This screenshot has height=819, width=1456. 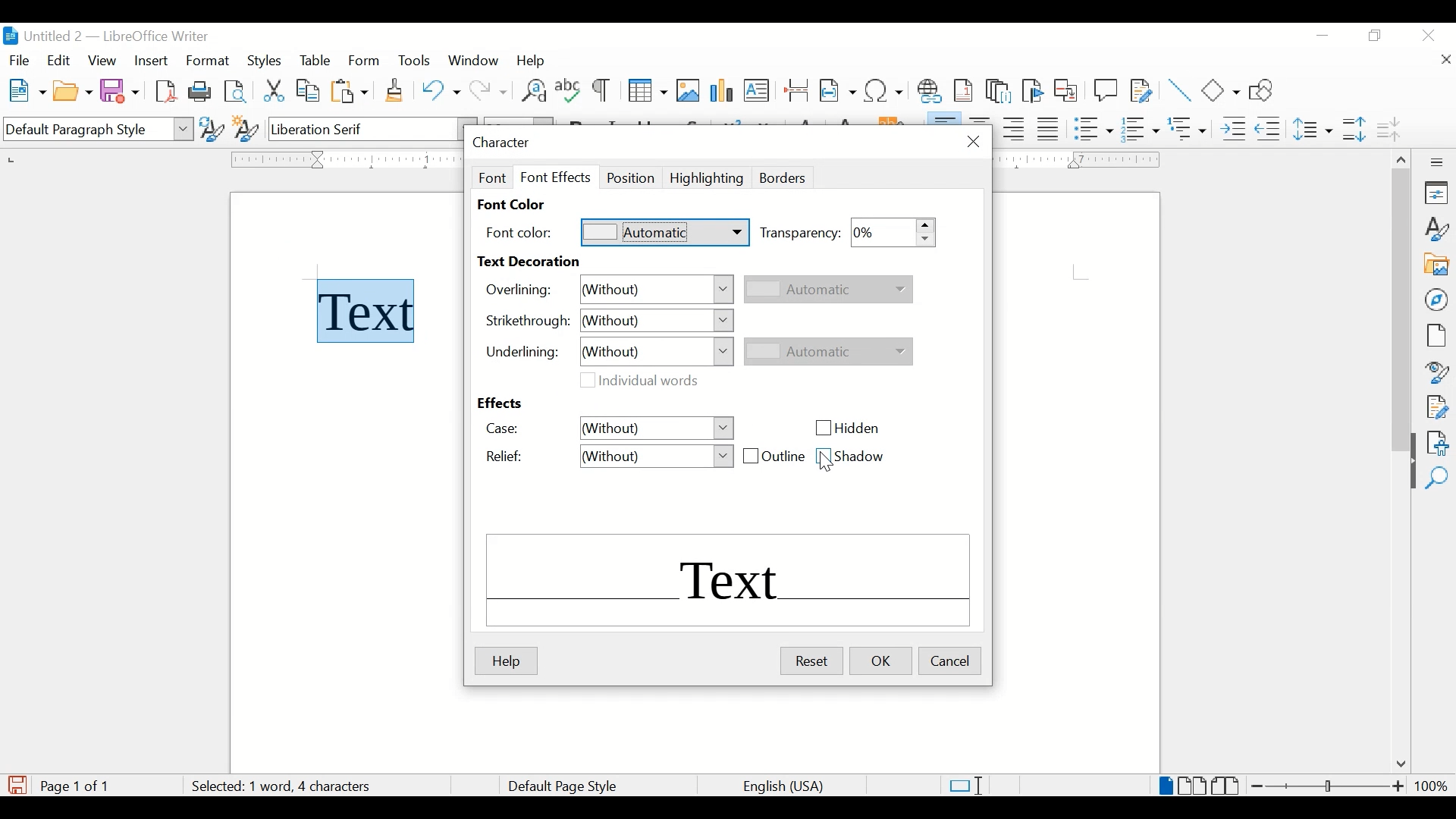 I want to click on undo, so click(x=441, y=90).